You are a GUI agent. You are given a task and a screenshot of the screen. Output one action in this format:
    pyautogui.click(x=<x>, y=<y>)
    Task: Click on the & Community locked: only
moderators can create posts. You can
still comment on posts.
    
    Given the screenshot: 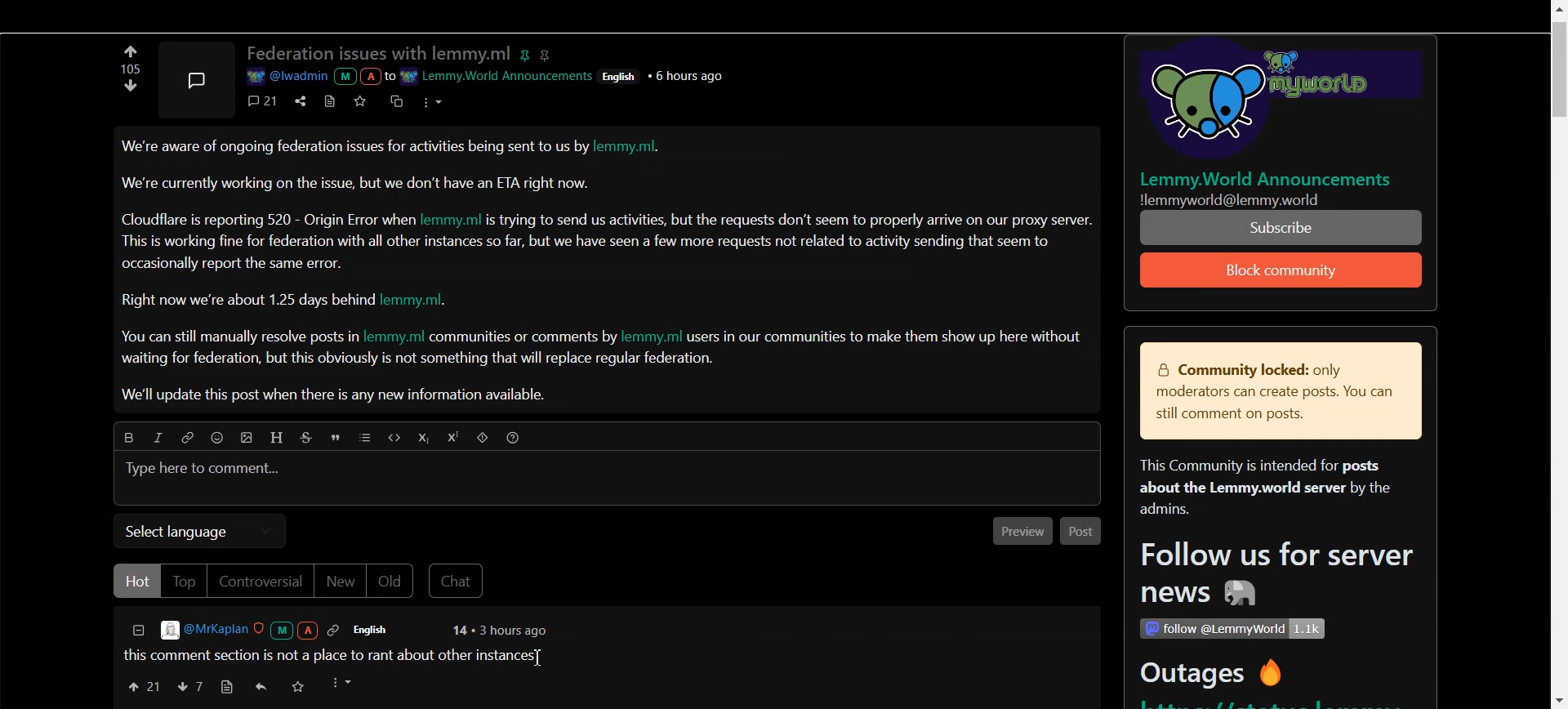 What is the action you would take?
    pyautogui.click(x=1269, y=393)
    